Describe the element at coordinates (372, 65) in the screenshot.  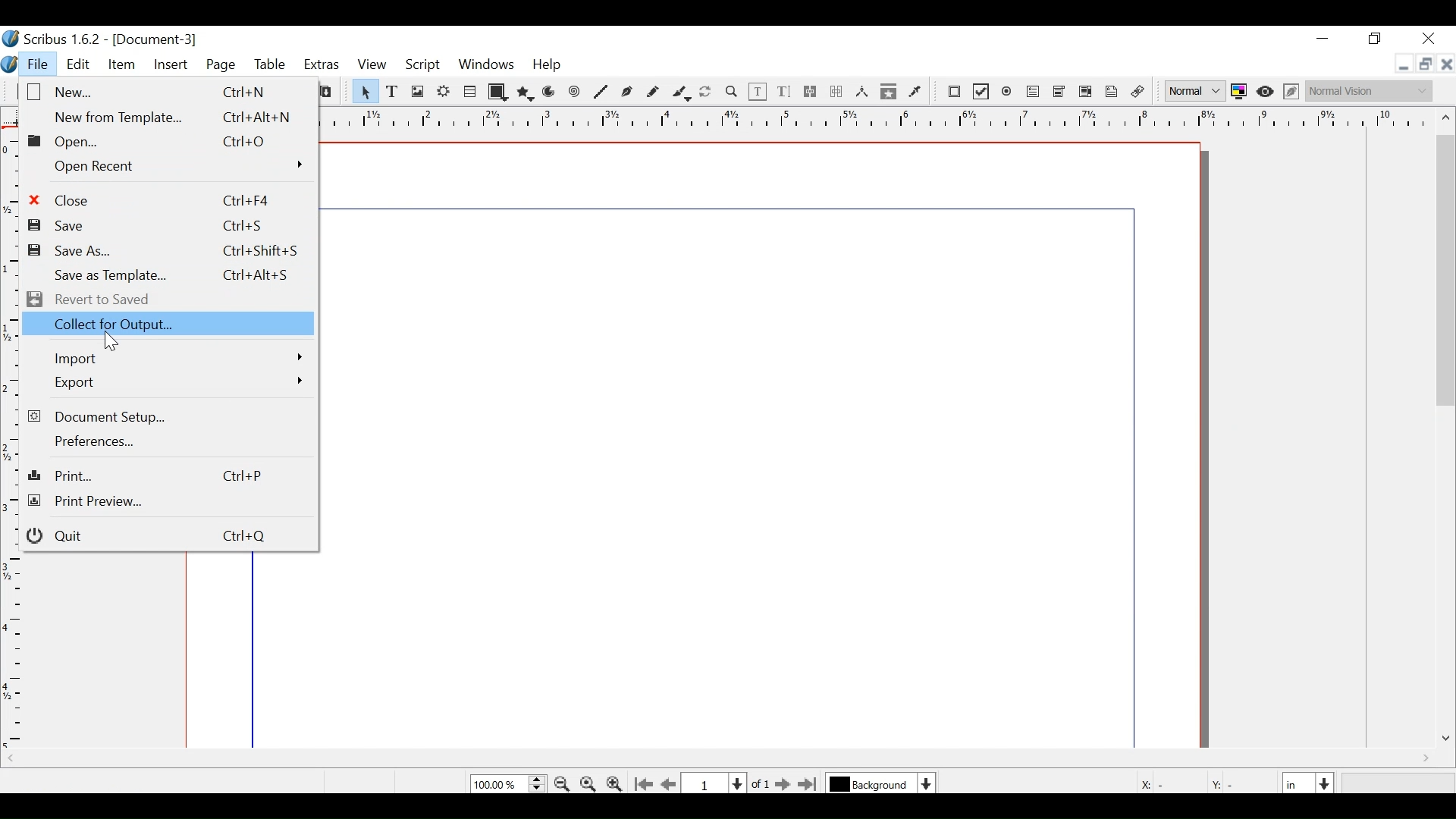
I see `View` at that location.